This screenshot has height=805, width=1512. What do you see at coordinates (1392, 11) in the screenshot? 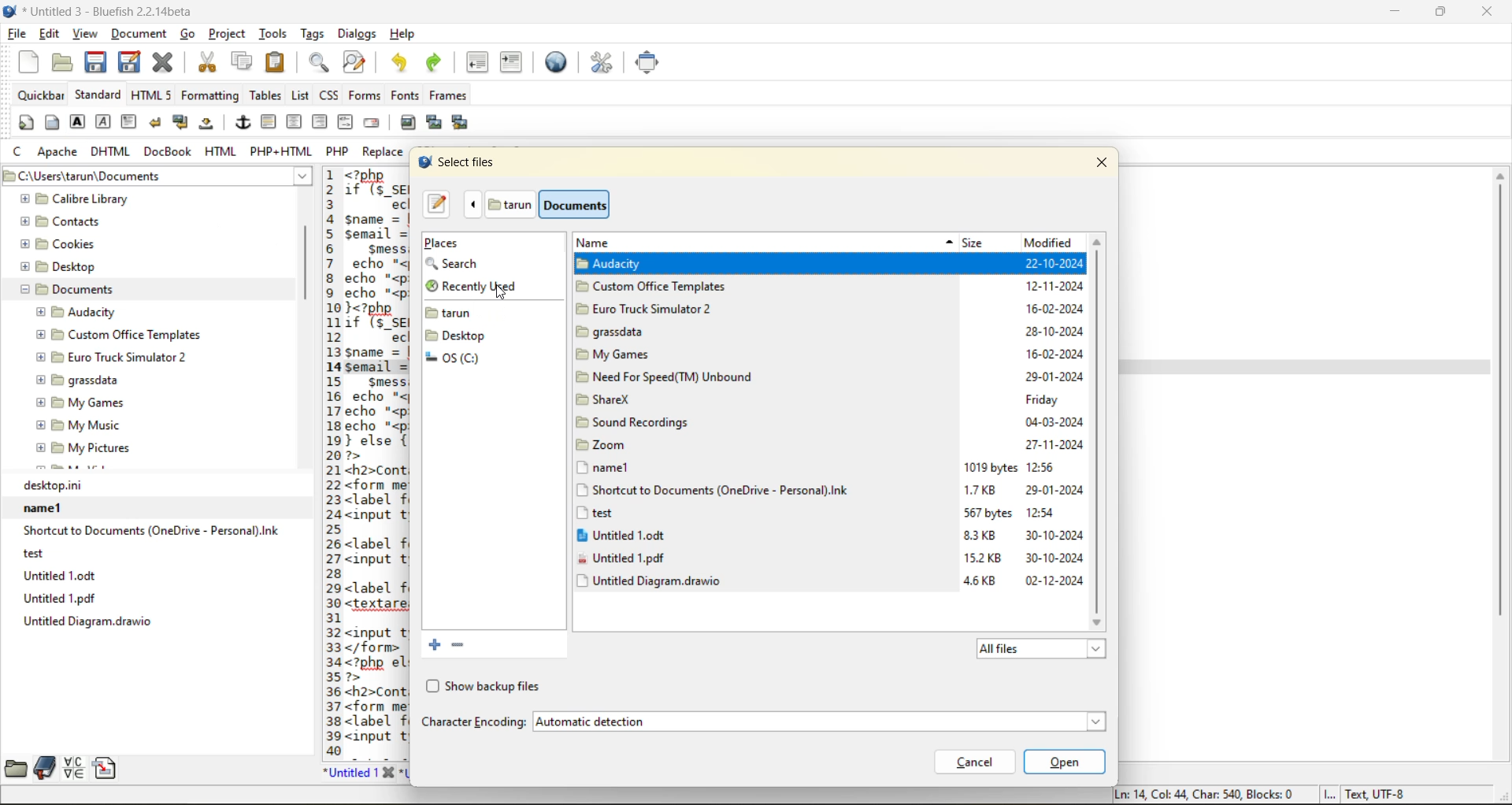
I see `minimize` at bounding box center [1392, 11].